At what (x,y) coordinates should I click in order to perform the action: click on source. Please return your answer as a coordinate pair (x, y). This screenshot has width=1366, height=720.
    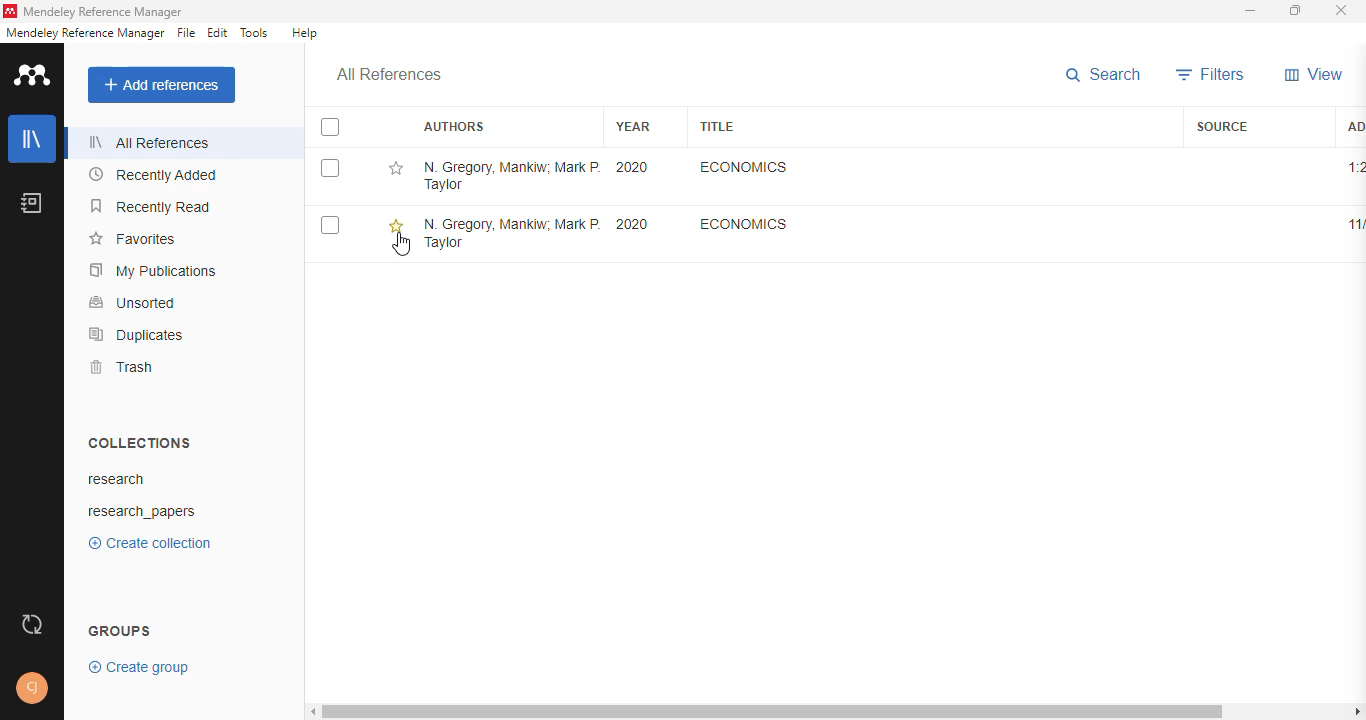
    Looking at the image, I should click on (1223, 127).